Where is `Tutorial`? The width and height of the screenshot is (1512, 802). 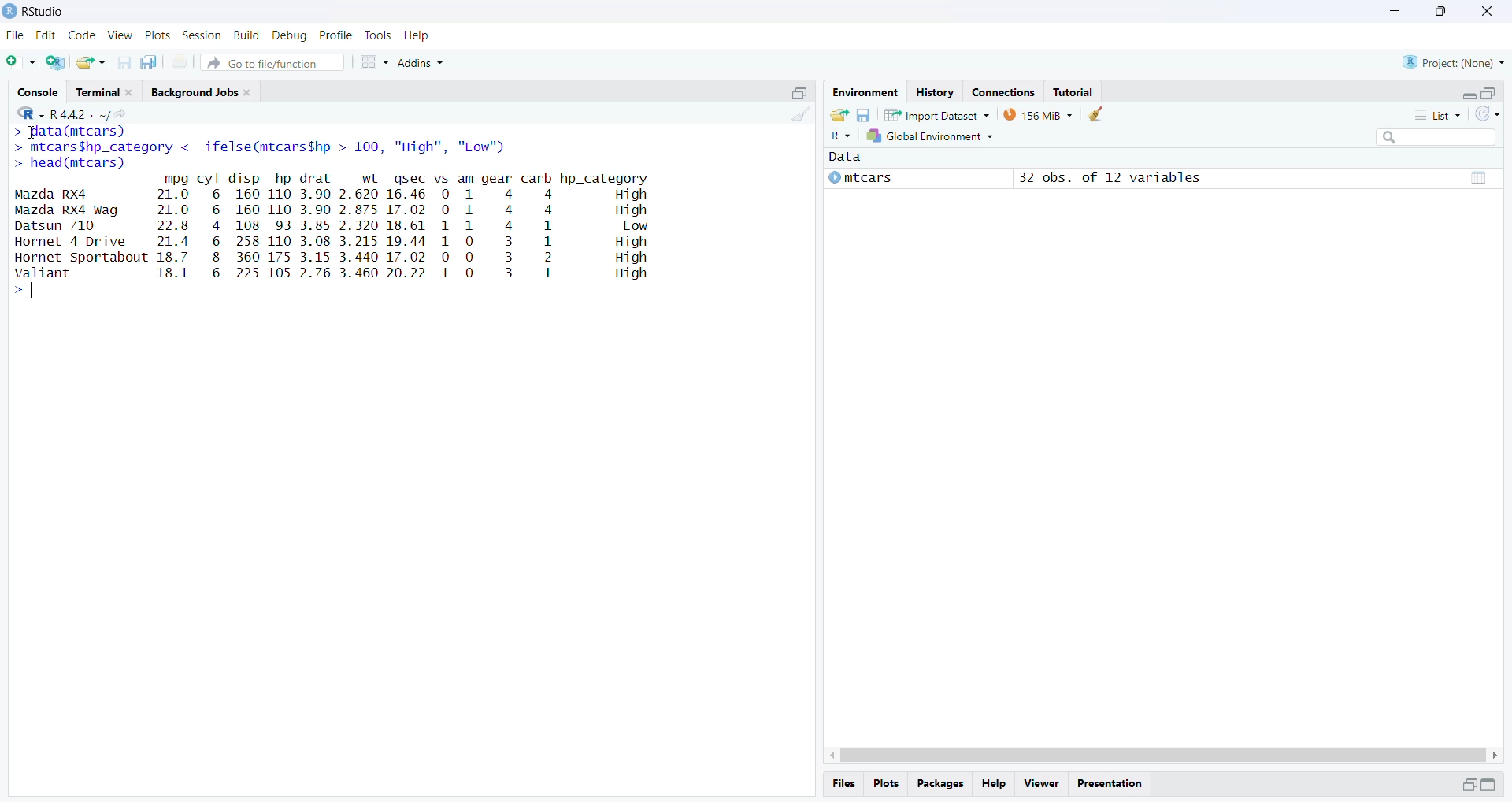 Tutorial is located at coordinates (1076, 91).